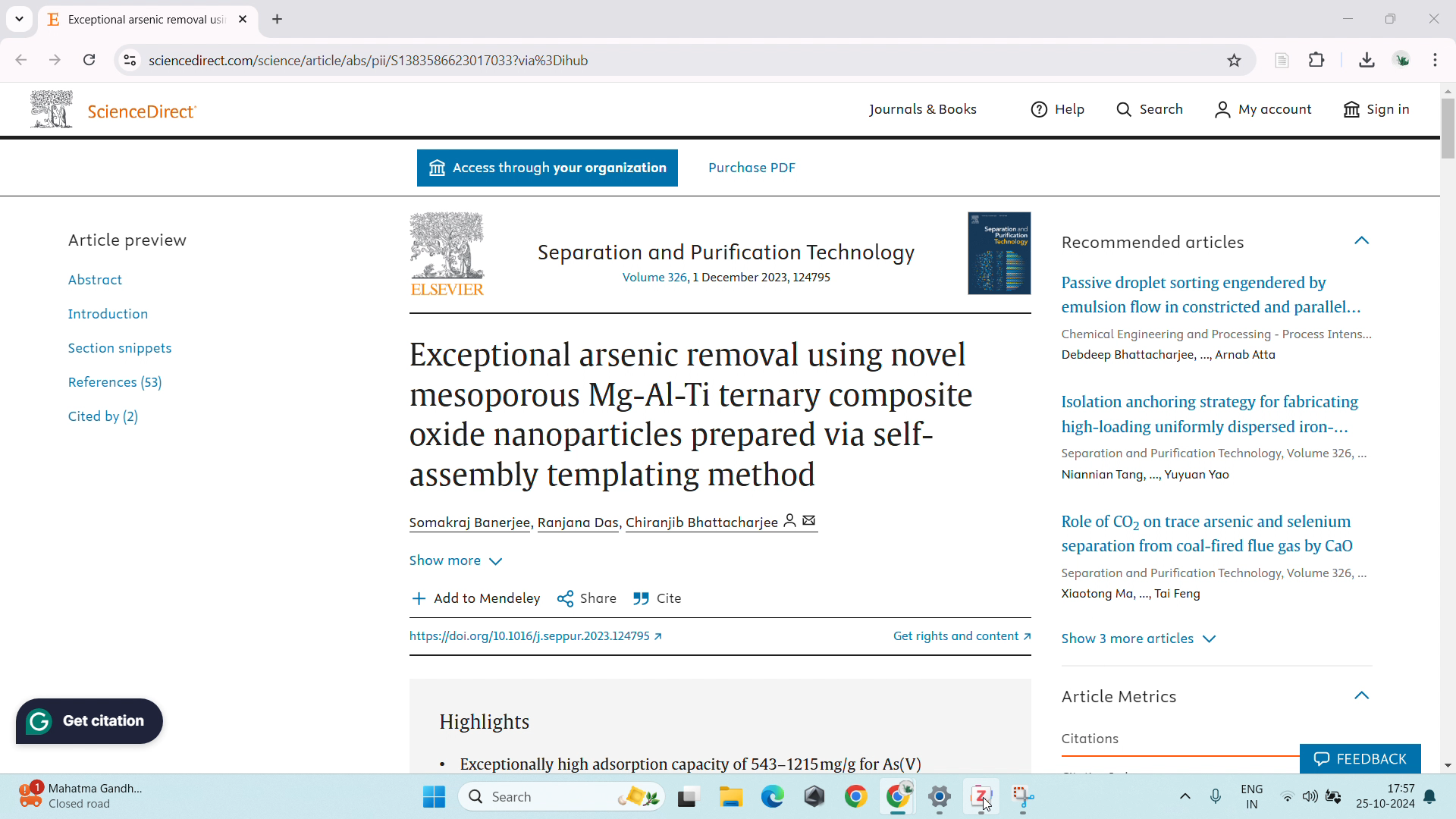 This screenshot has width=1456, height=819. What do you see at coordinates (541, 638) in the screenshot?
I see `https://doi.org/10.1016/j.seppur.2023.124795 2` at bounding box center [541, 638].